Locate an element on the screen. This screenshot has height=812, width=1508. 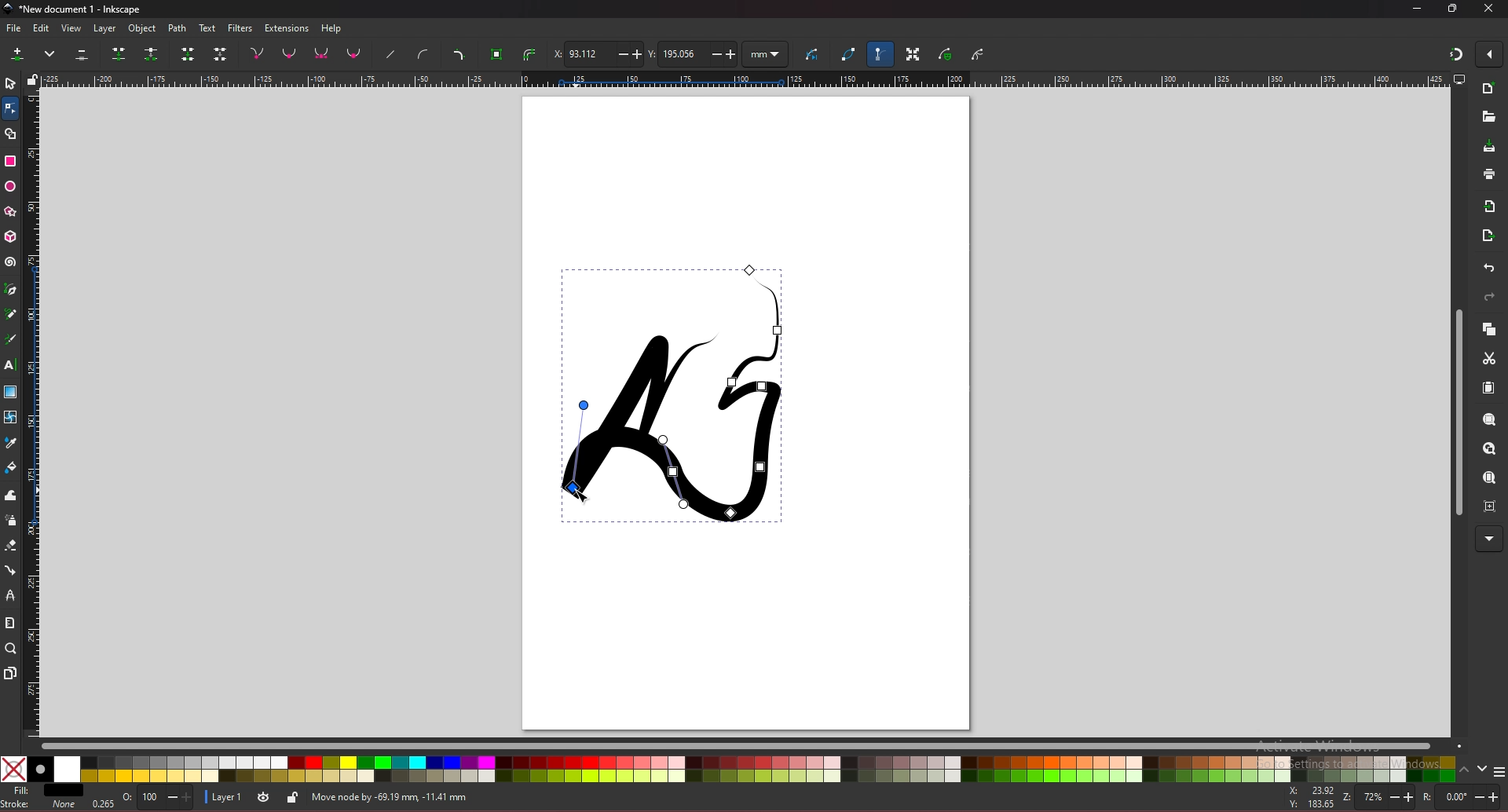
down is located at coordinates (1484, 769).